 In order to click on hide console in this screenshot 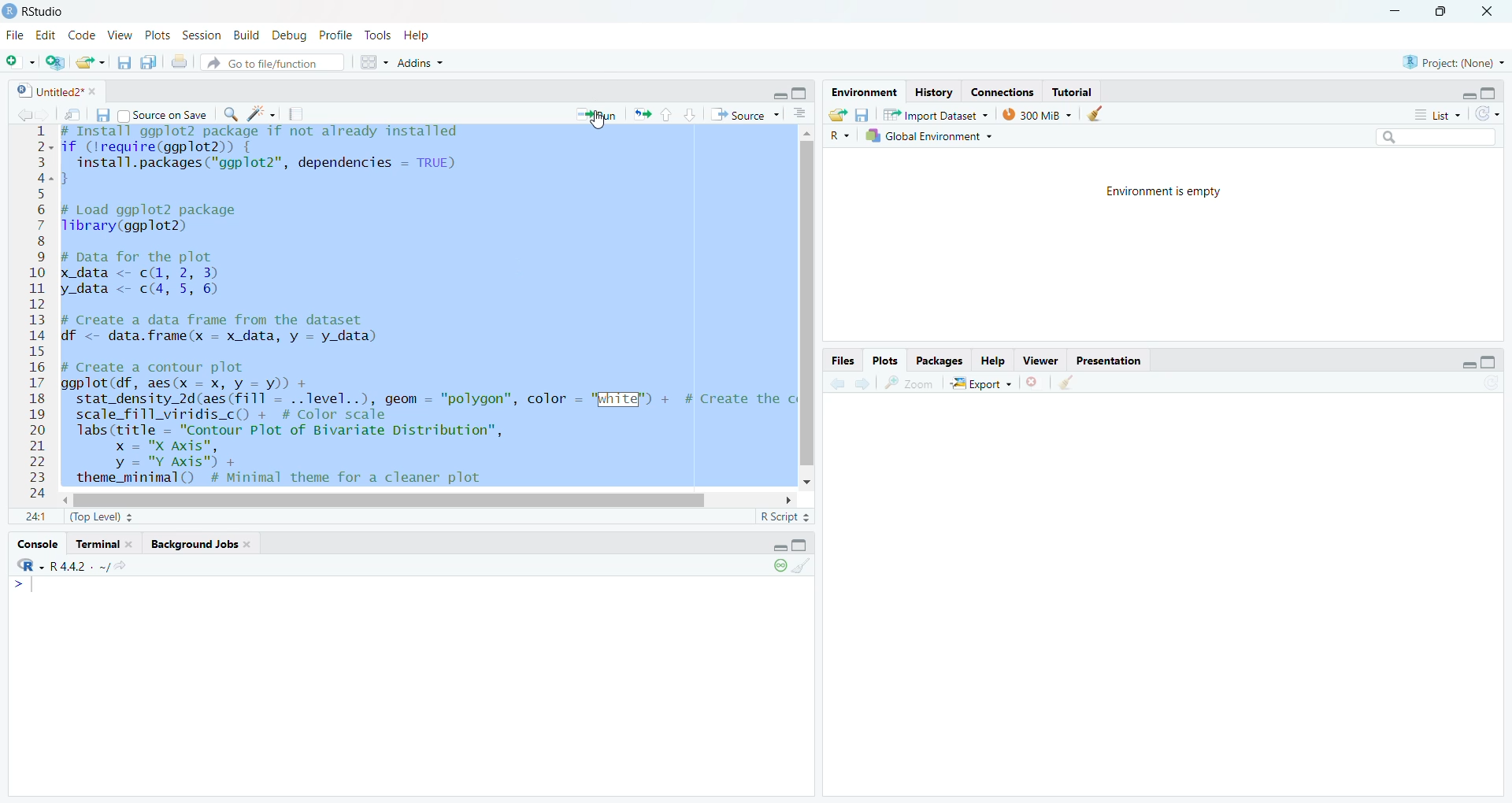, I will do `click(804, 546)`.